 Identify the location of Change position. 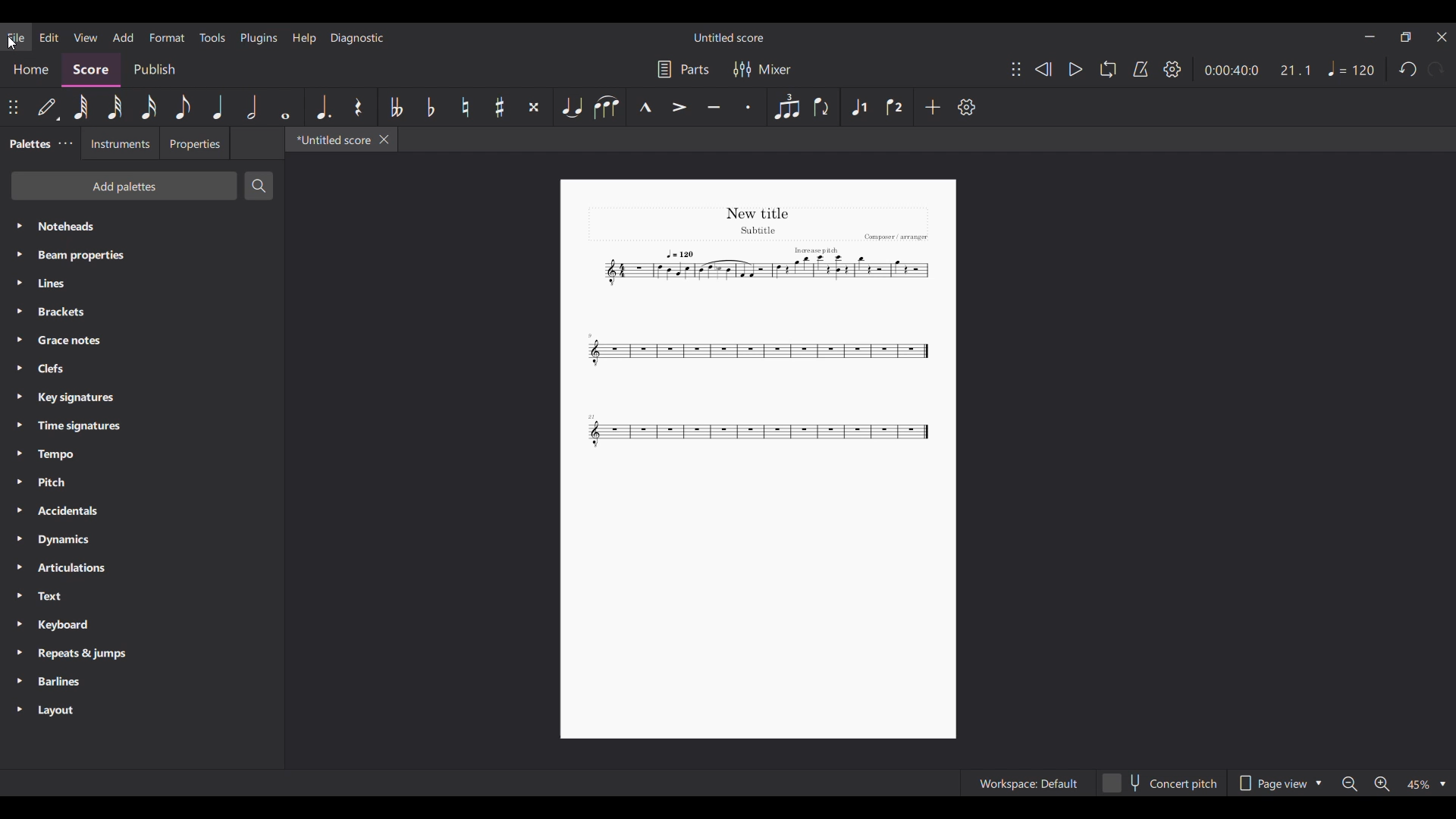
(1017, 69).